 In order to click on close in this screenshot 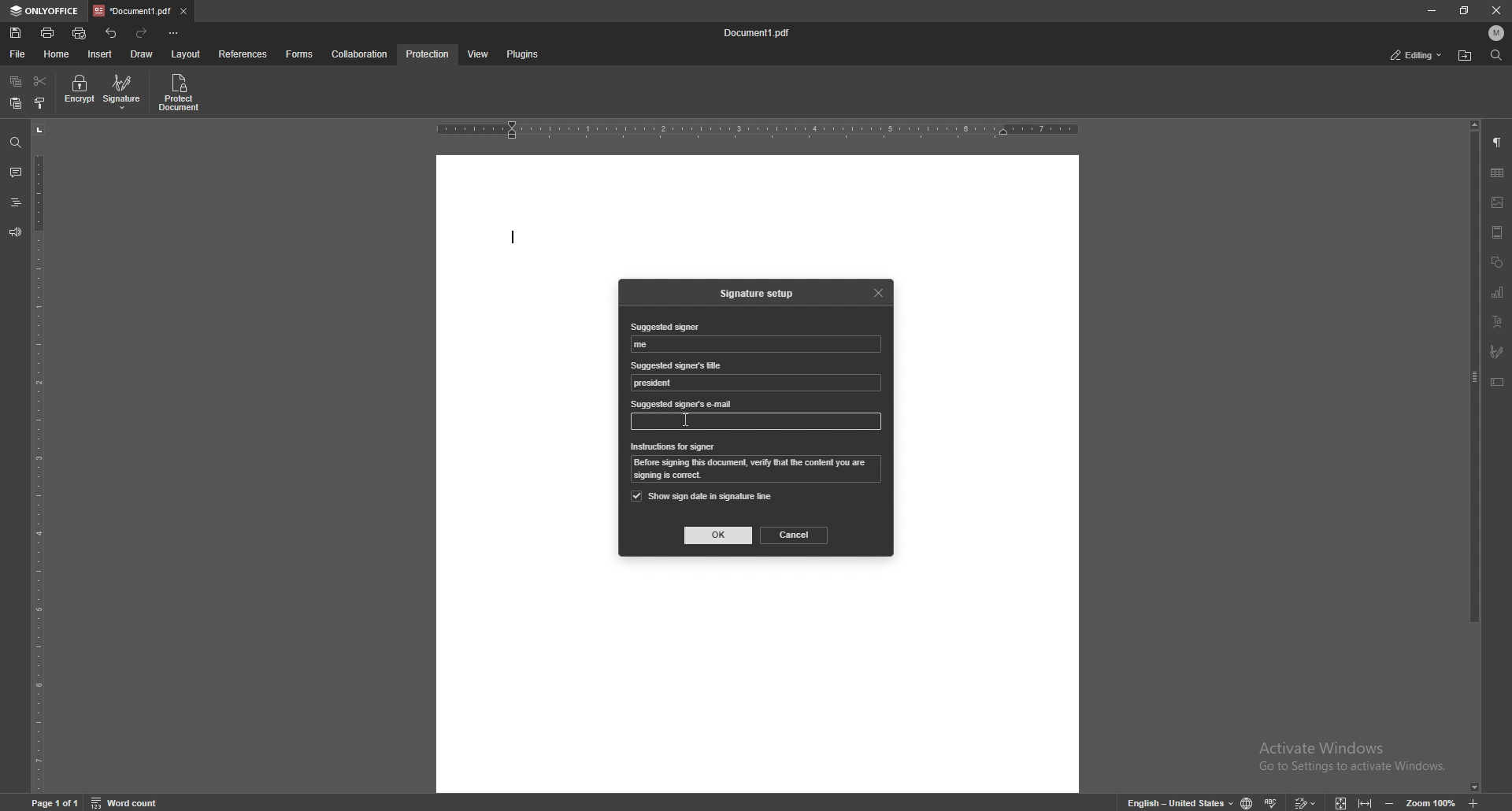, I will do `click(880, 291)`.